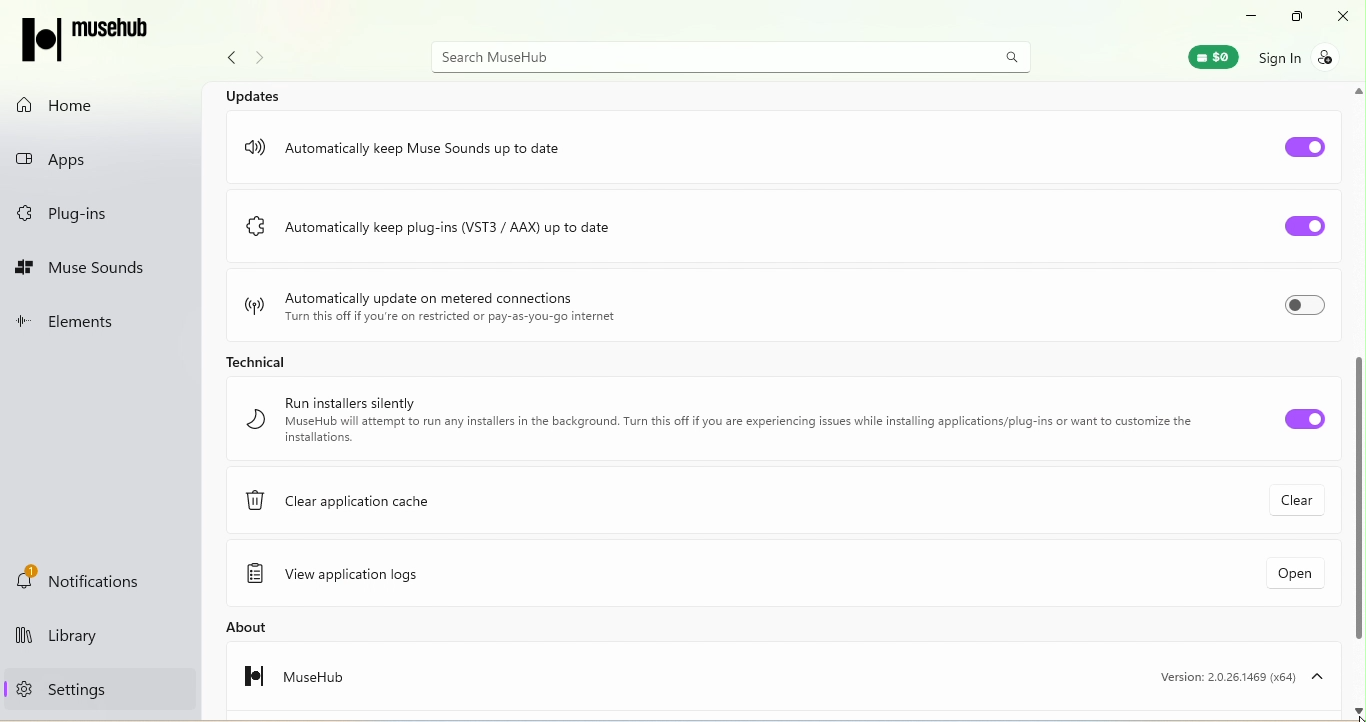 This screenshot has height=722, width=1366. I want to click on Toggle button, so click(1306, 143).